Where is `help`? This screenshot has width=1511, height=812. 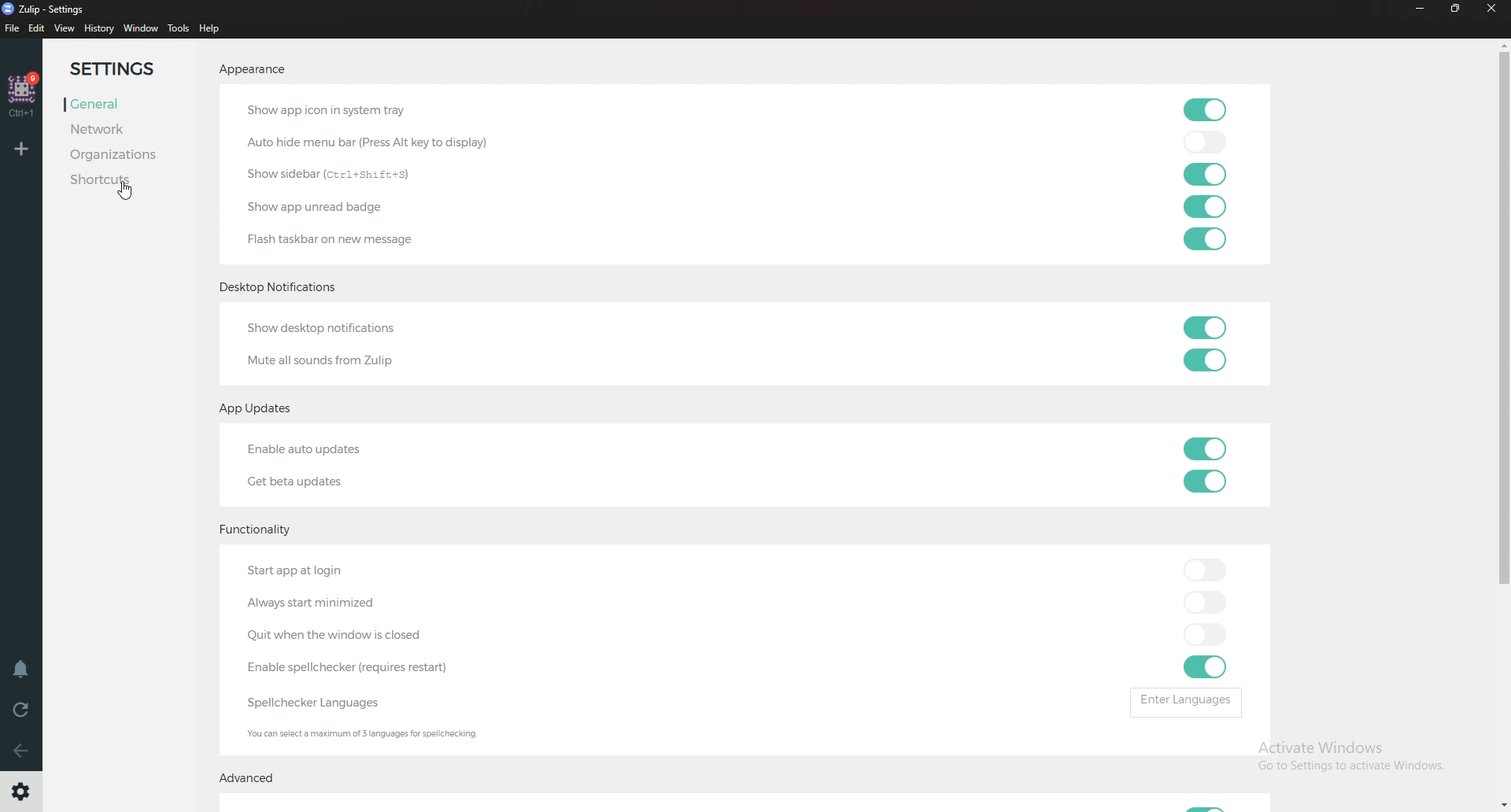
help is located at coordinates (209, 28).